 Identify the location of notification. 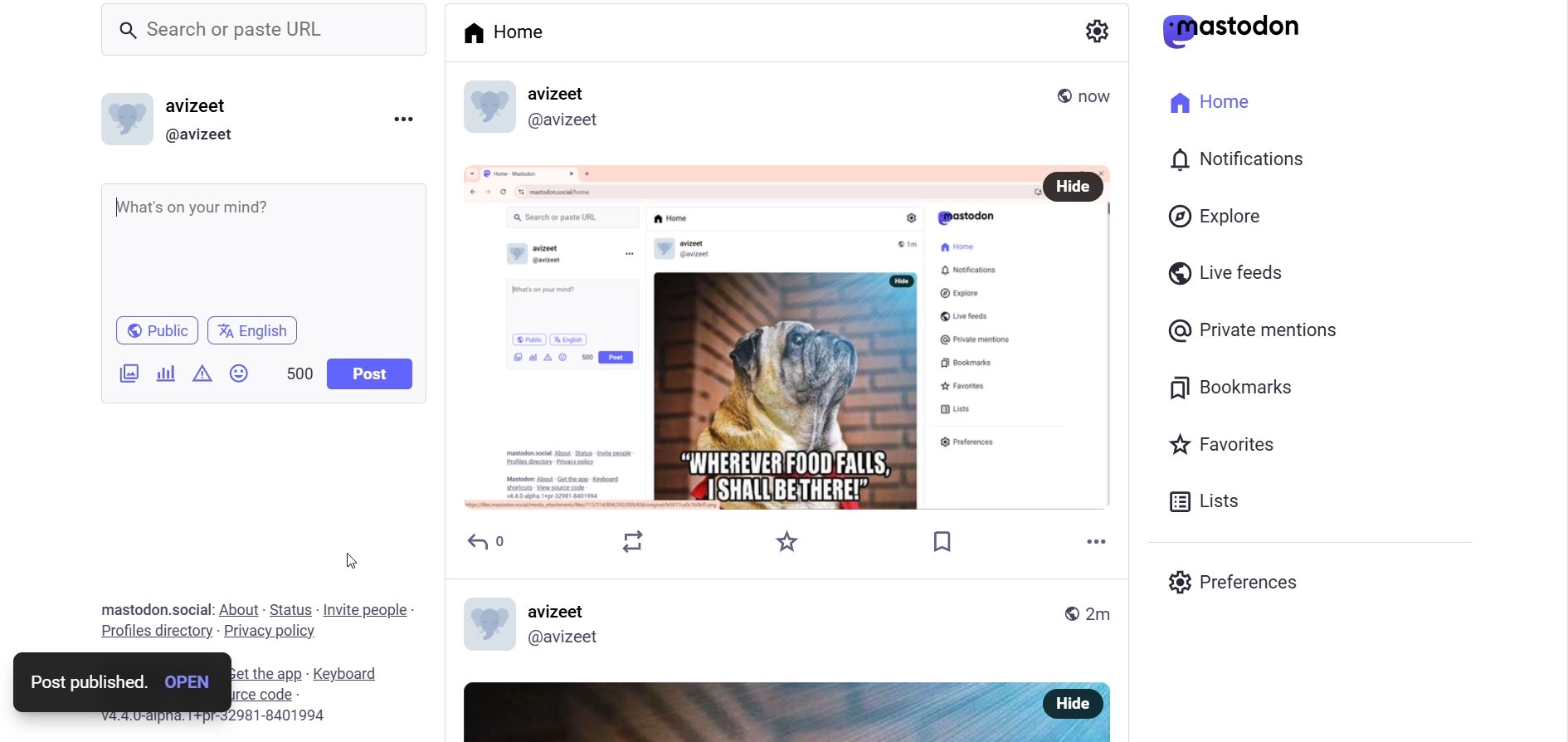
(1237, 160).